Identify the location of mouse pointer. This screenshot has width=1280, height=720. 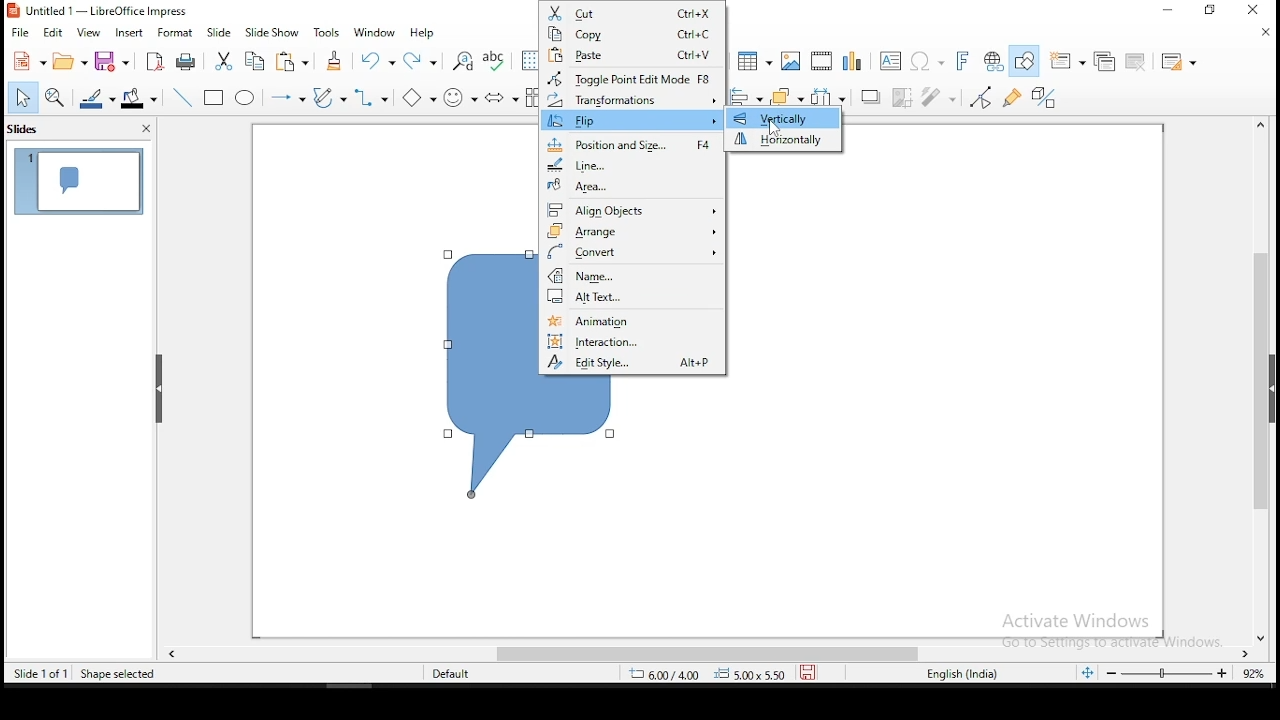
(776, 131).